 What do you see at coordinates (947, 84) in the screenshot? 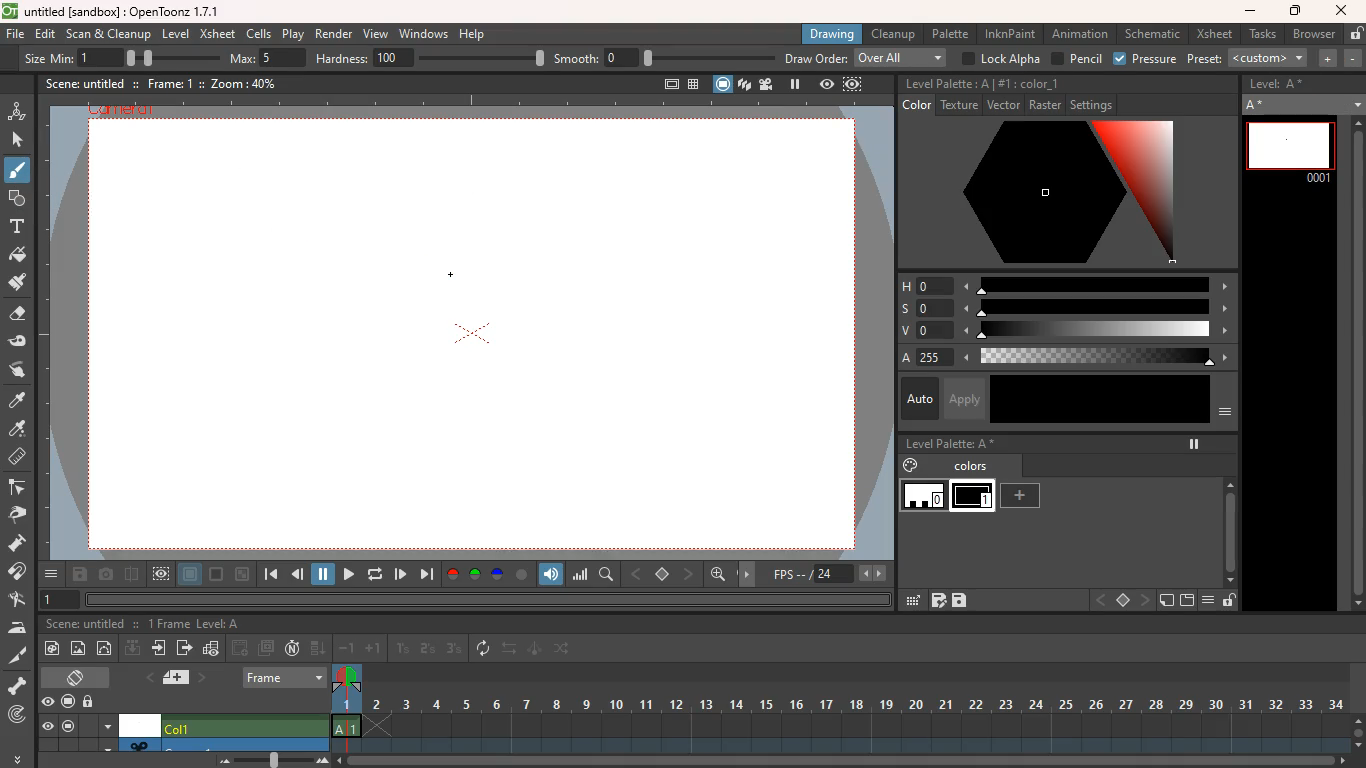
I see `level palette: A` at bounding box center [947, 84].